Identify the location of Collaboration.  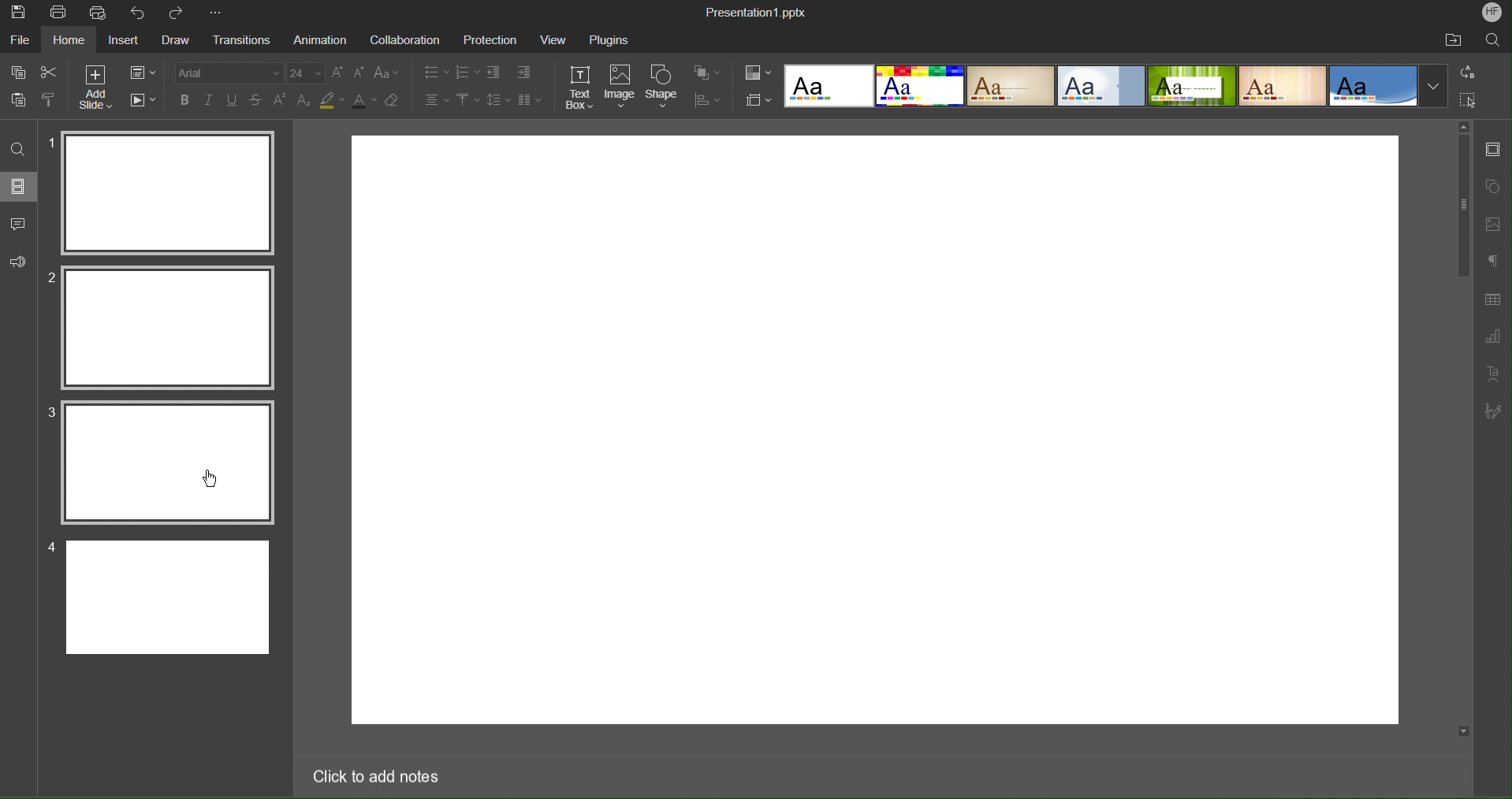
(404, 39).